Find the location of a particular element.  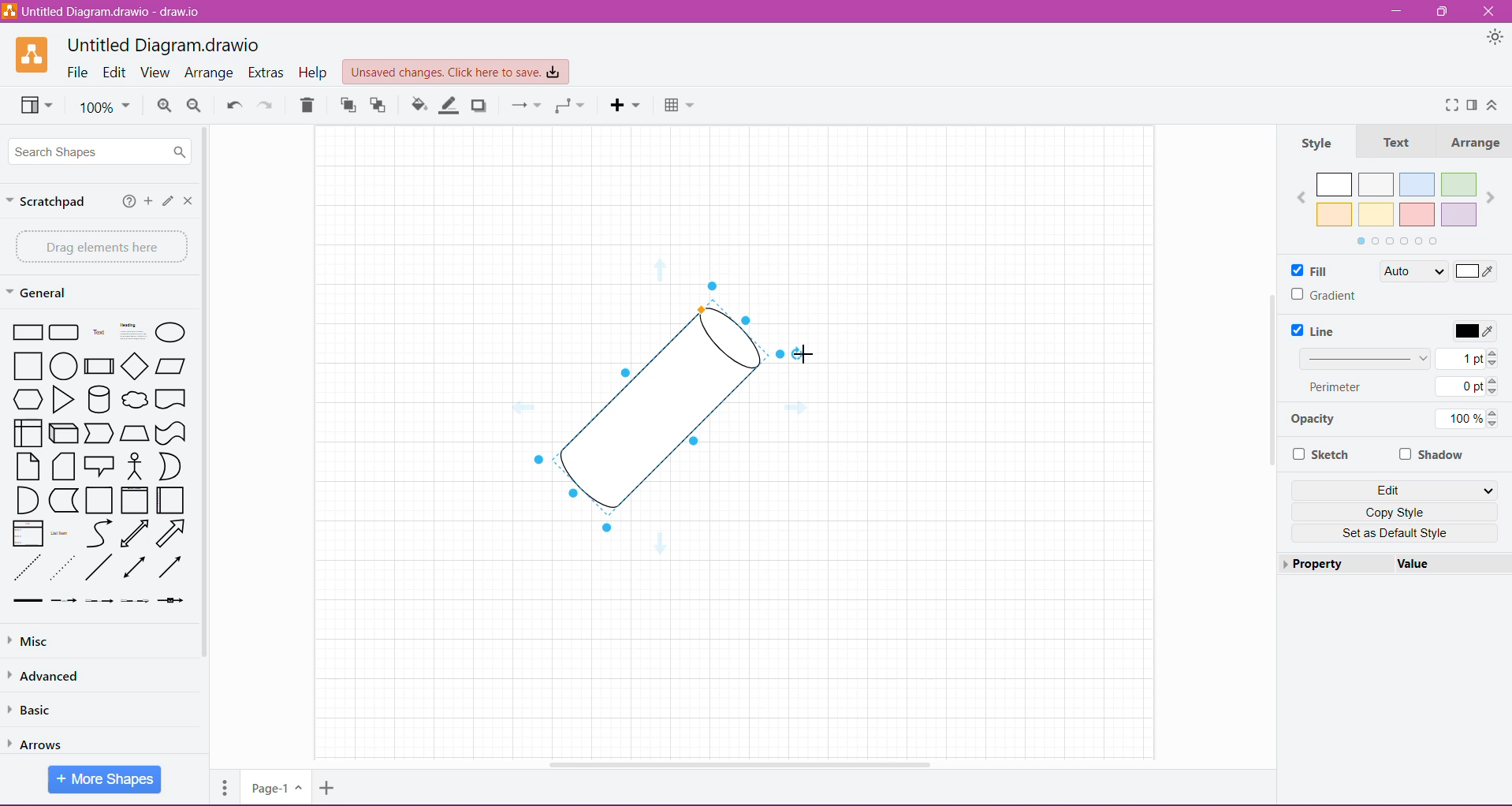

To Back is located at coordinates (382, 105).